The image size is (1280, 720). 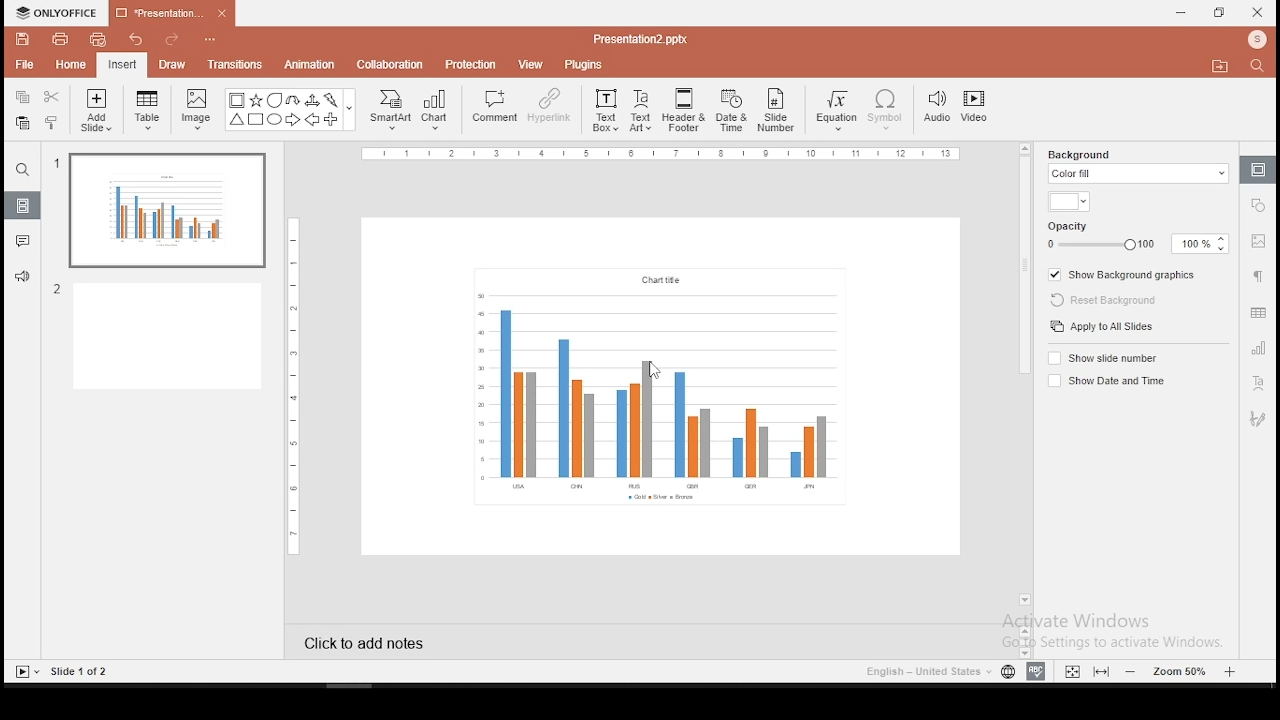 I want to click on minimize, so click(x=1182, y=12).